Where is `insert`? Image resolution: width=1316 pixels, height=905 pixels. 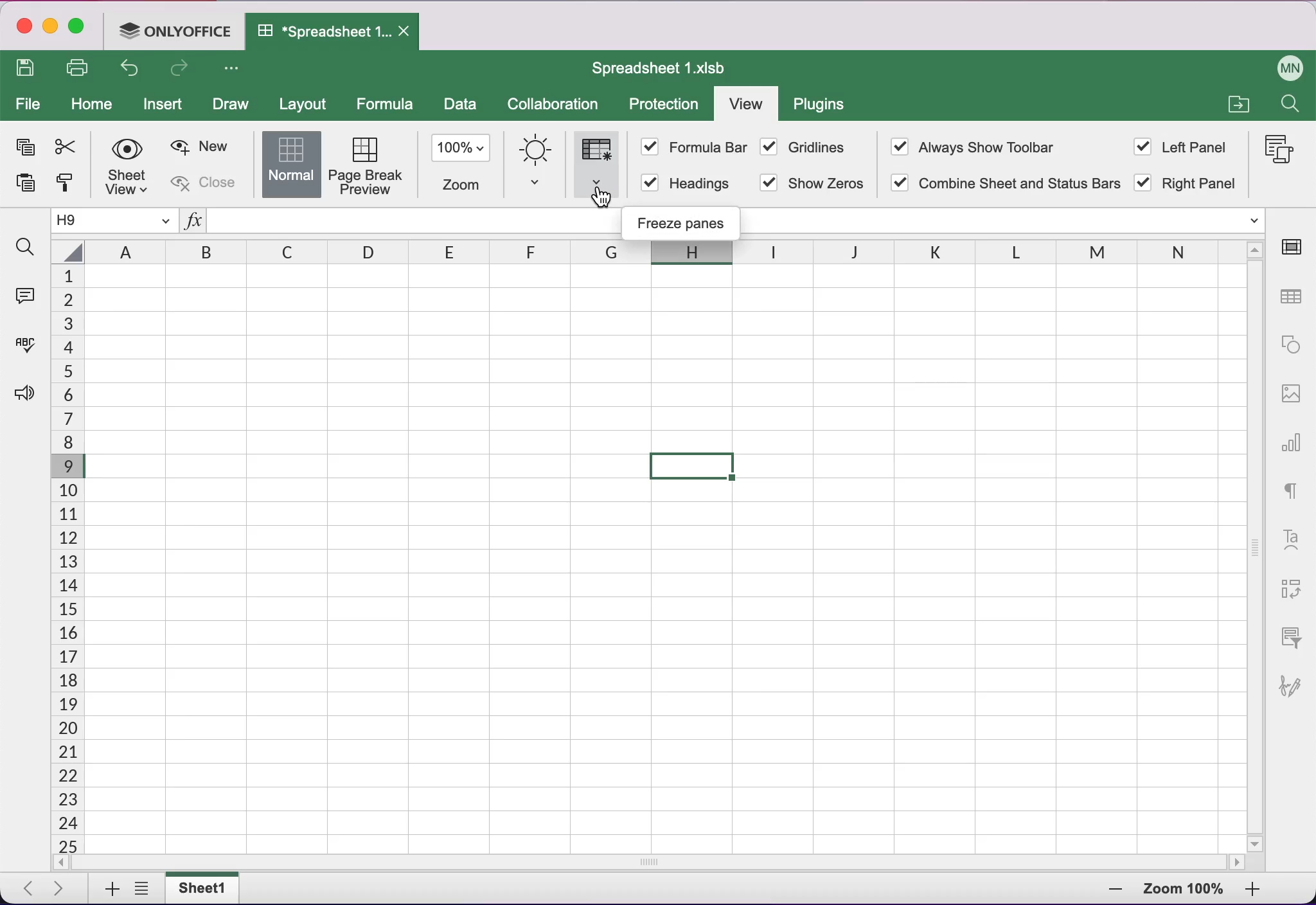 insert is located at coordinates (164, 105).